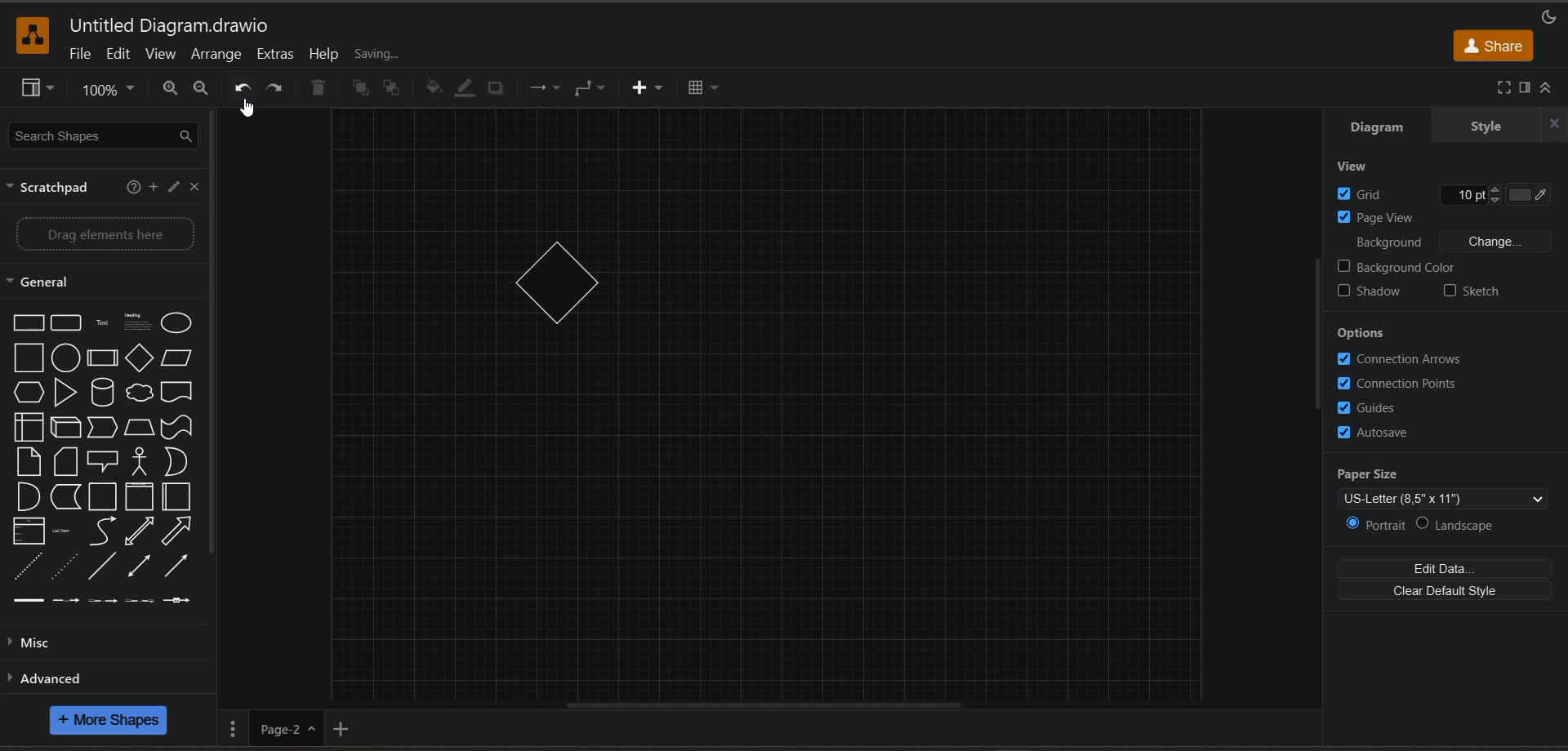 The image size is (1568, 751). I want to click on Dashed Line, so click(24, 568).